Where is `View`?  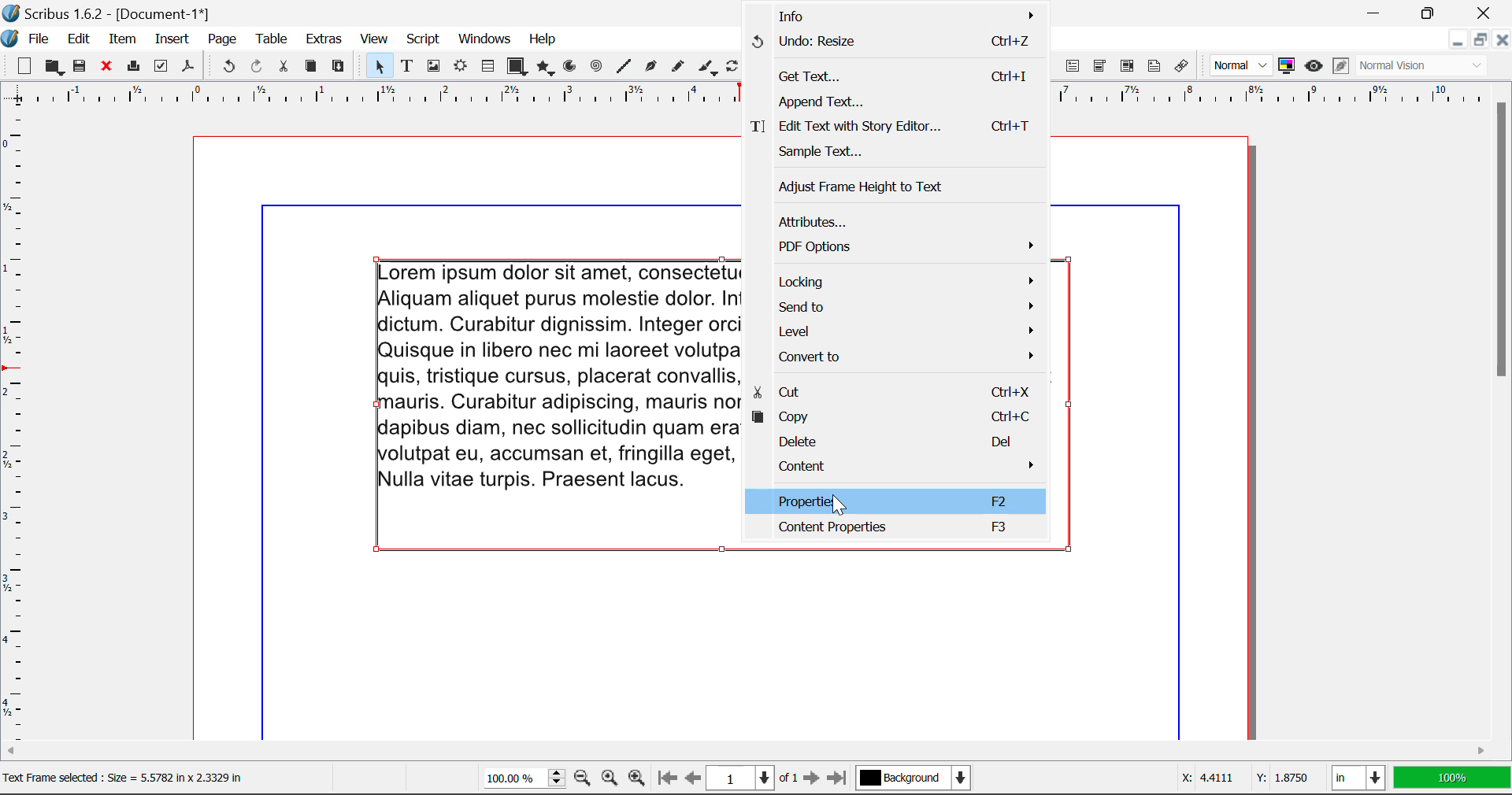
View is located at coordinates (374, 39).